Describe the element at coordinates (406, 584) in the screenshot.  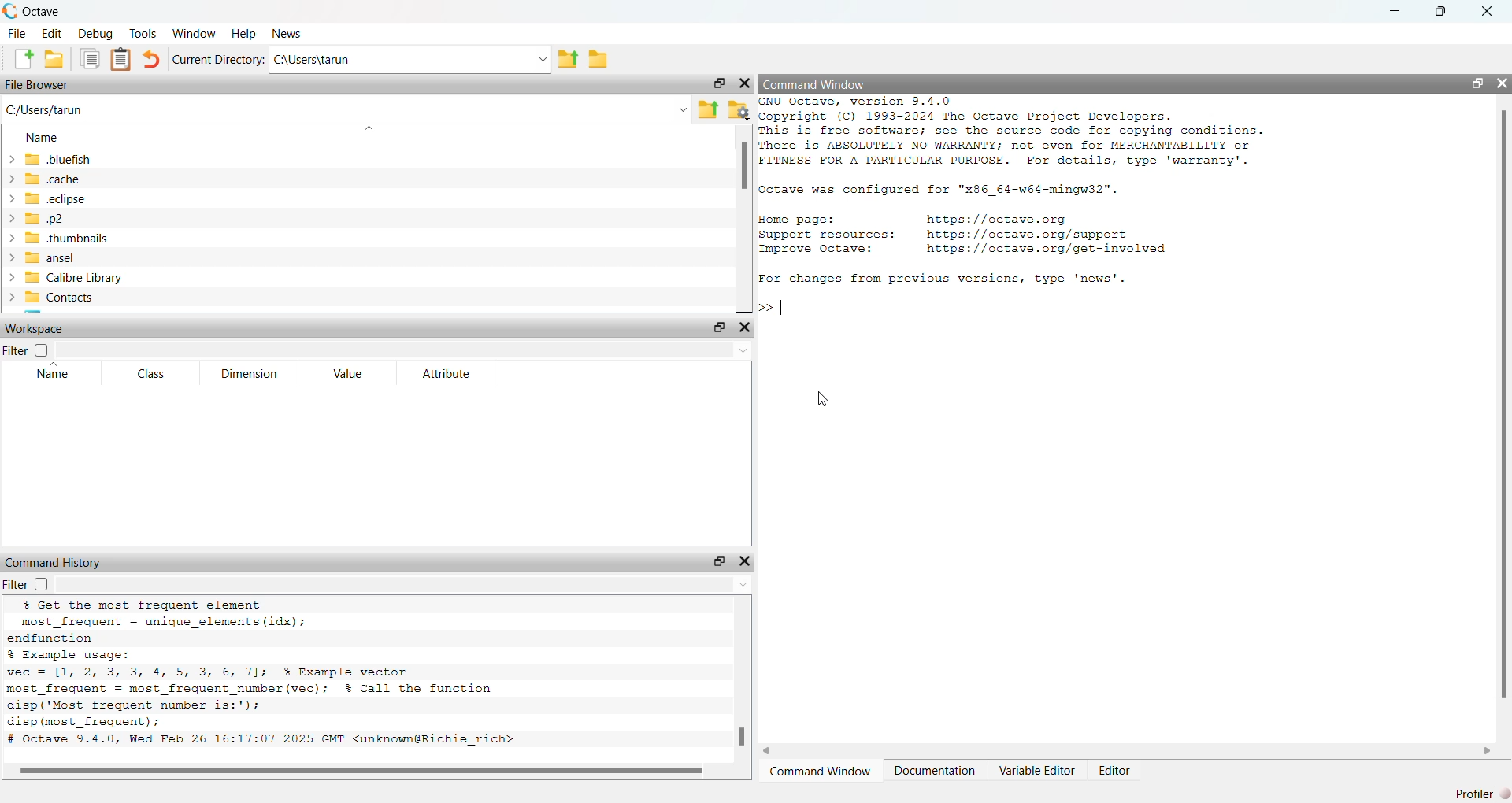
I see `Enter text to filter the command history` at that location.